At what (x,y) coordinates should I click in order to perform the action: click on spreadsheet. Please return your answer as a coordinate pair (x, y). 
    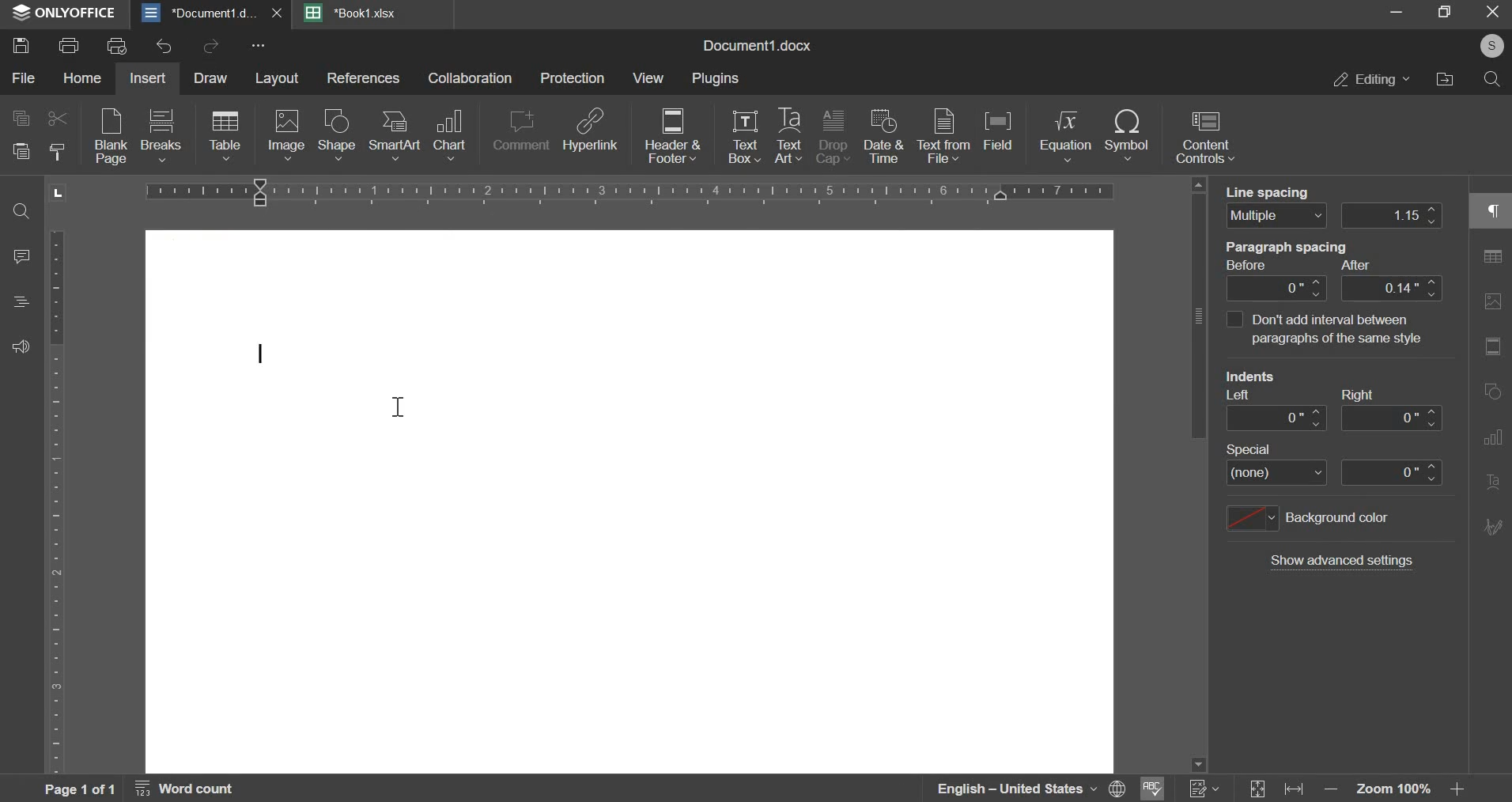
    Looking at the image, I should click on (353, 13).